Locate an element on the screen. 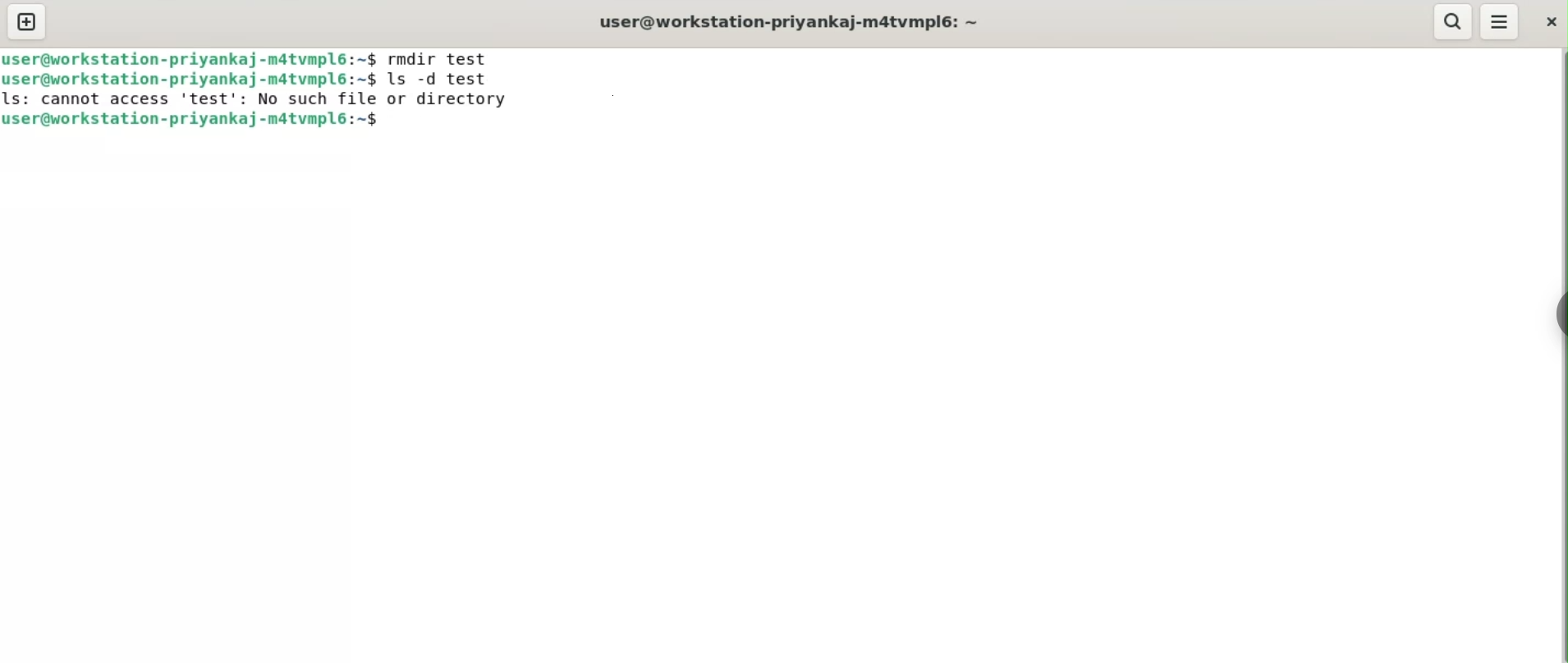 The image size is (1568, 663). user@workstation-priyankaj-m4tvmpl6: ~ is located at coordinates (798, 21).